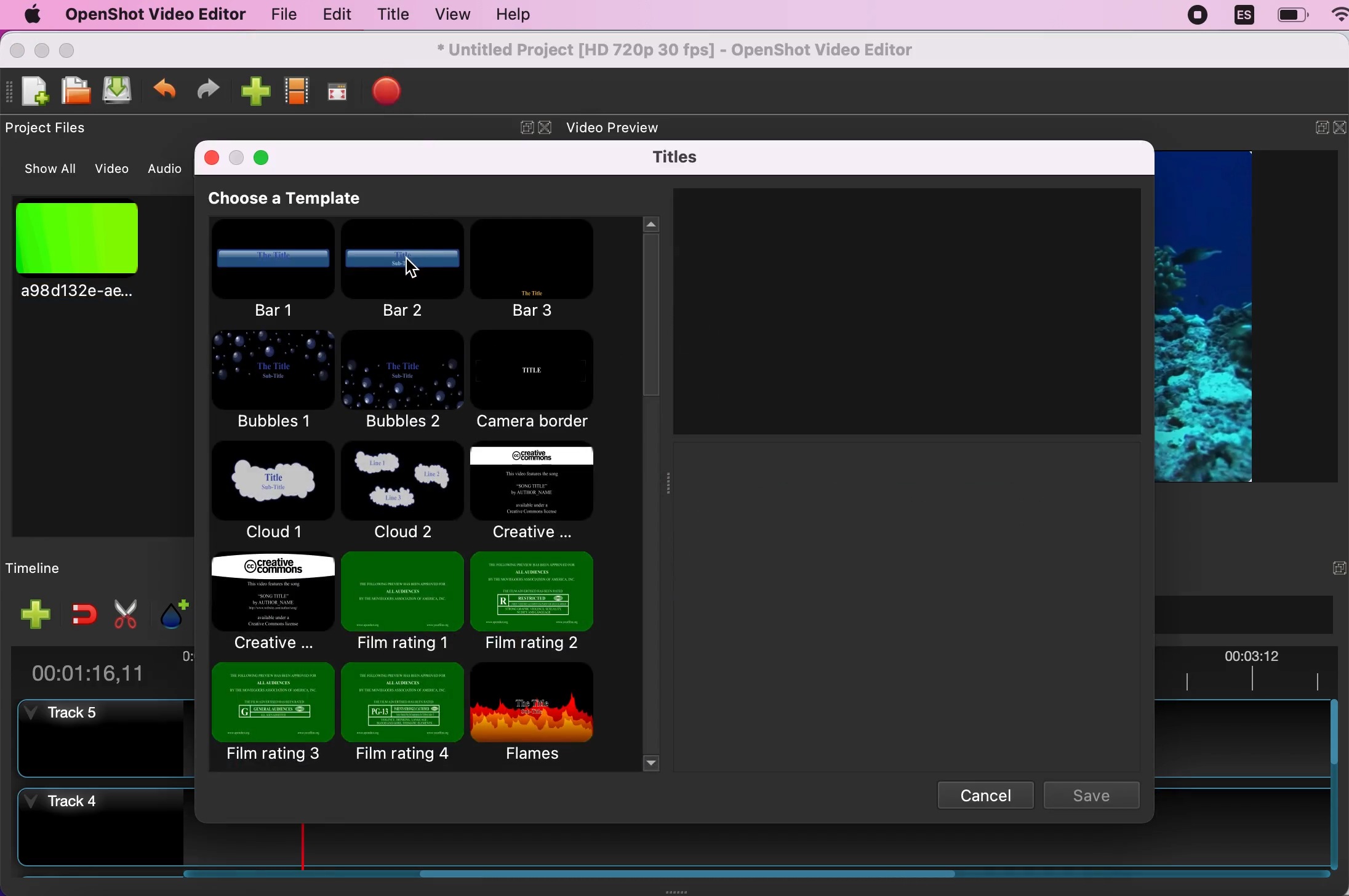 The image size is (1349, 896). What do you see at coordinates (393, 14) in the screenshot?
I see `title` at bounding box center [393, 14].